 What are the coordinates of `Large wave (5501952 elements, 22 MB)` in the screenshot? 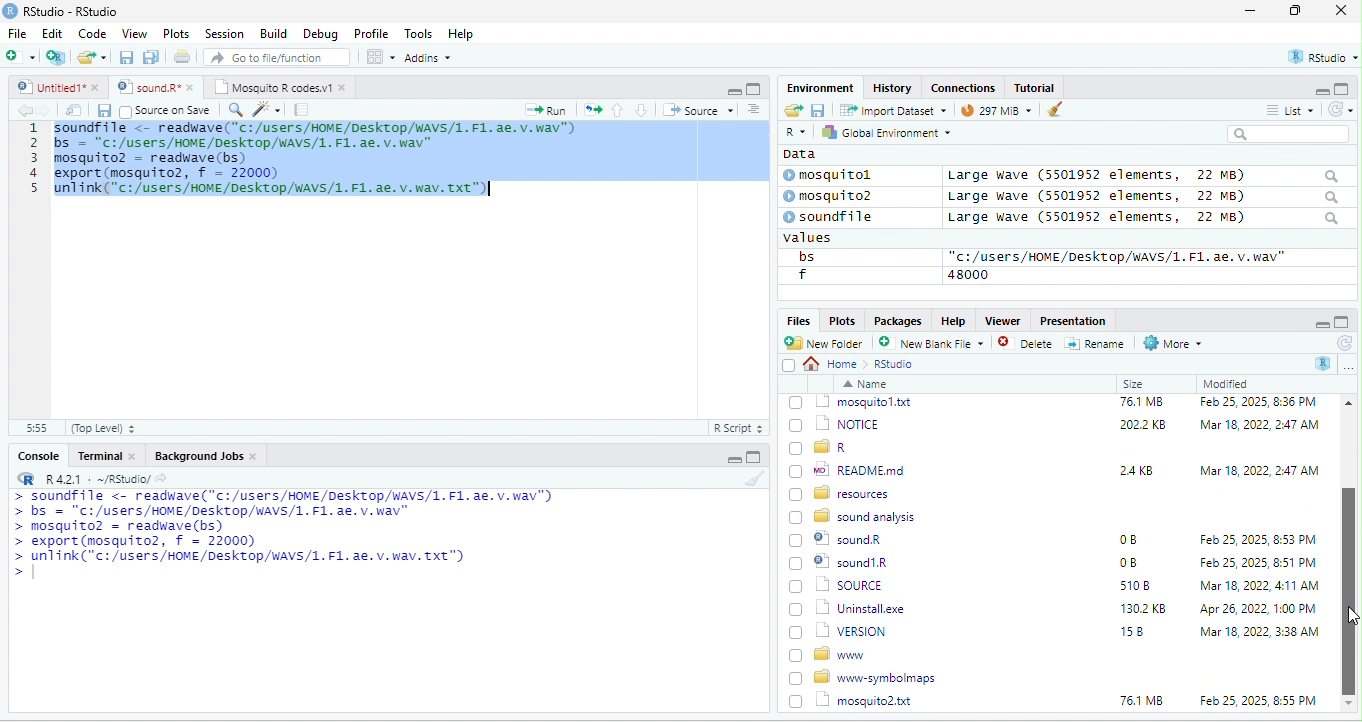 It's located at (1142, 175).